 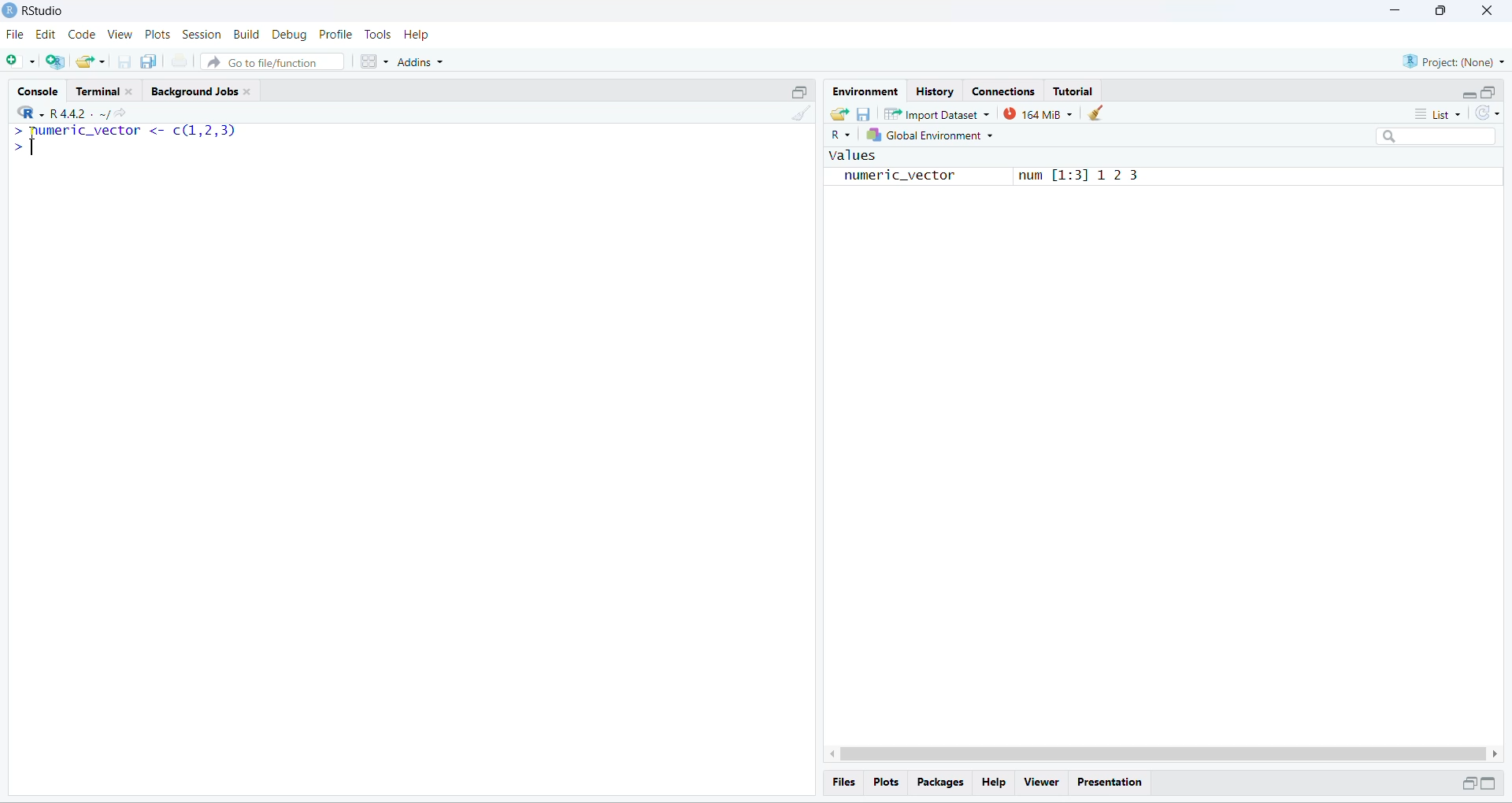 I want to click on workspace panes, so click(x=373, y=61).